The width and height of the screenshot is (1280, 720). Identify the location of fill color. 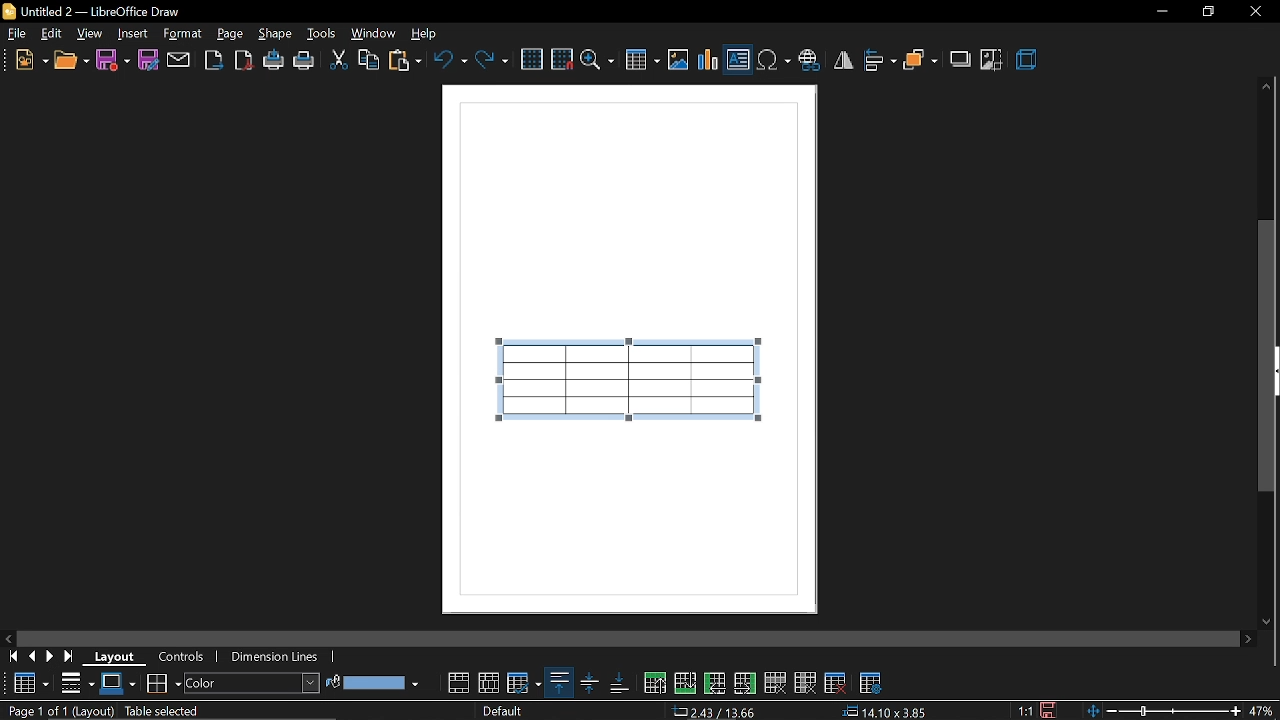
(383, 682).